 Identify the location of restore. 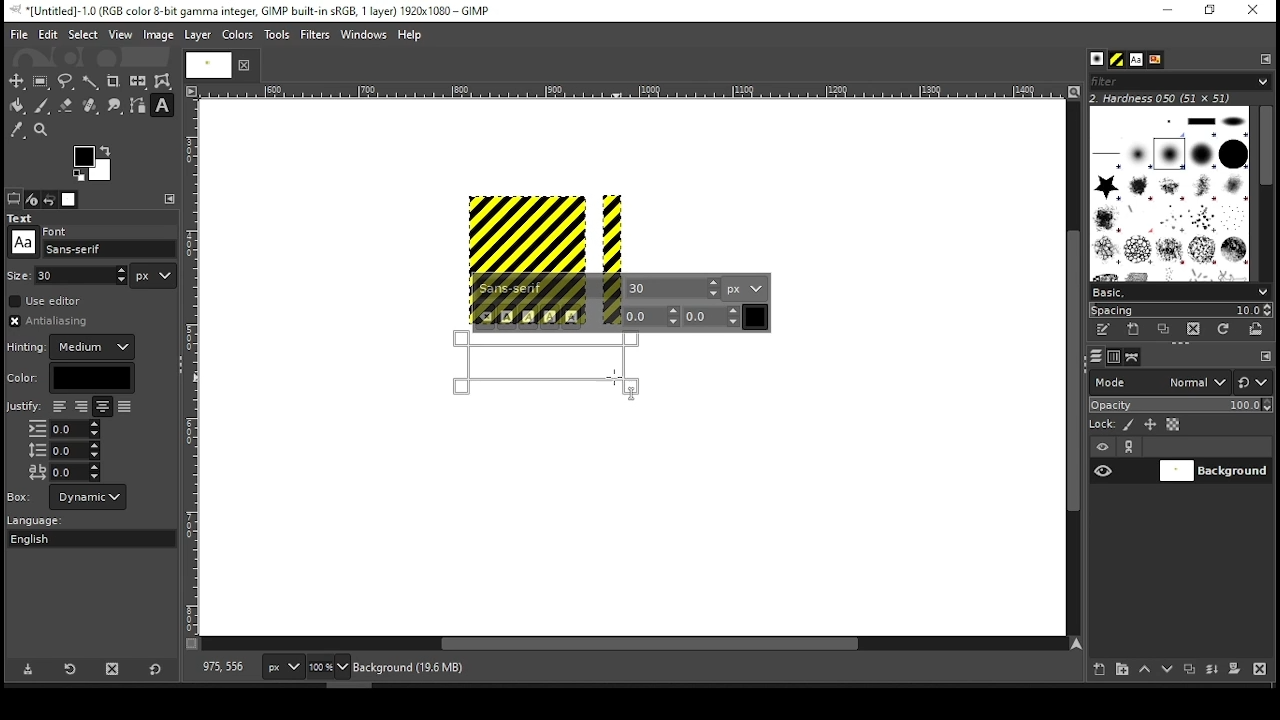
(1212, 11).